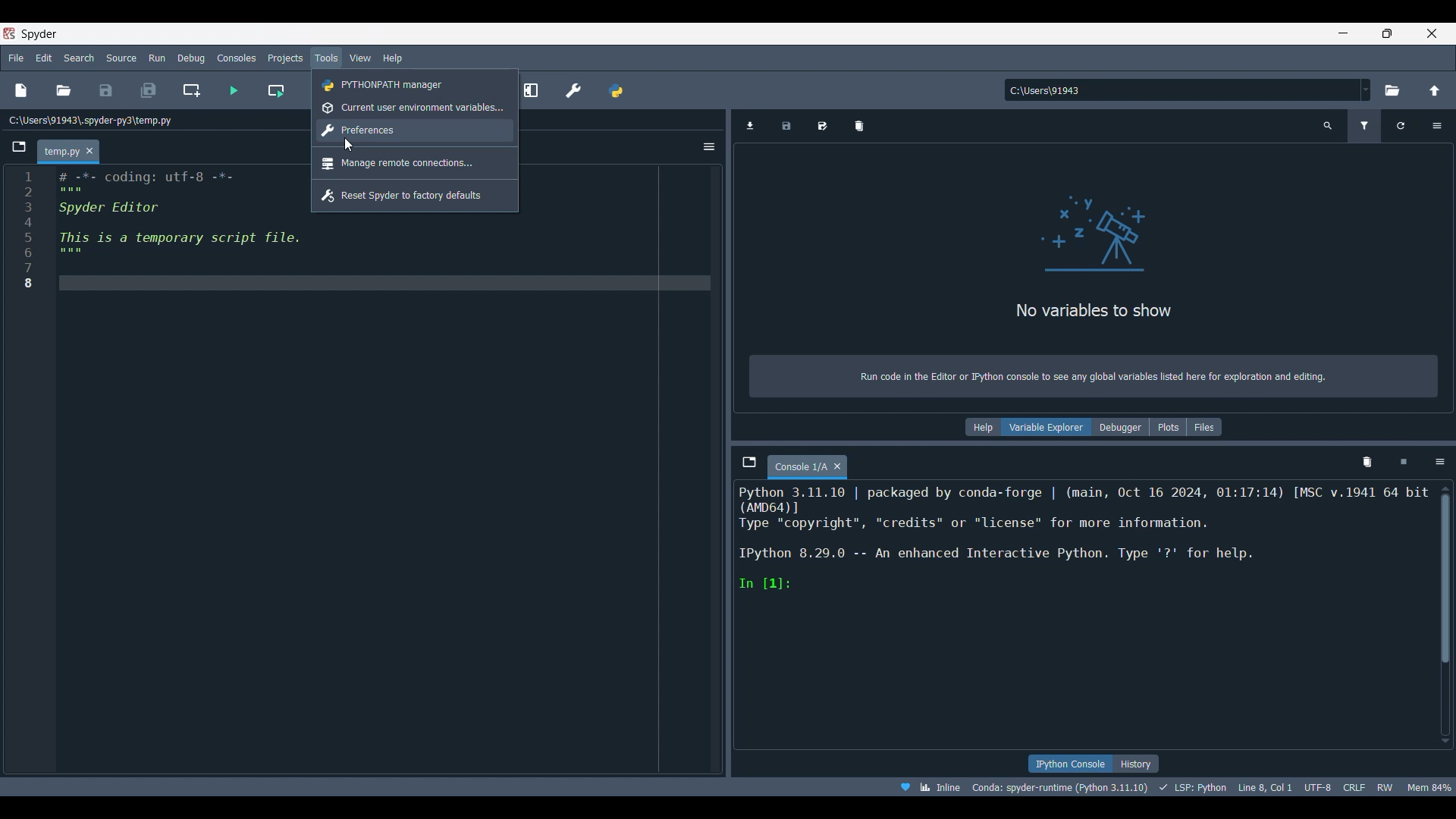 The height and width of the screenshot is (819, 1456). What do you see at coordinates (838, 466) in the screenshot?
I see `Close tab` at bounding box center [838, 466].